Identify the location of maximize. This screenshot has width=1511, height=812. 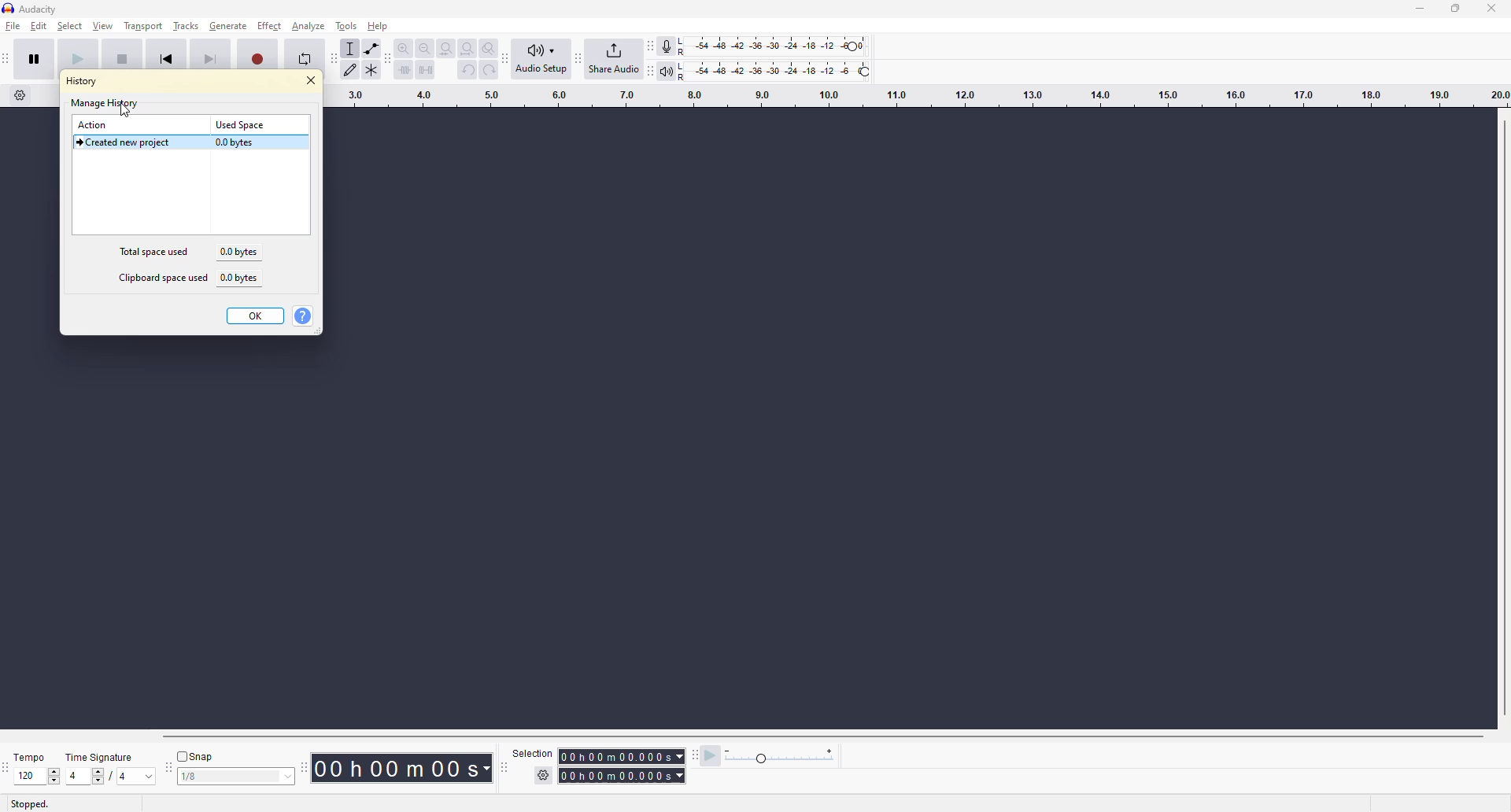
(1457, 13).